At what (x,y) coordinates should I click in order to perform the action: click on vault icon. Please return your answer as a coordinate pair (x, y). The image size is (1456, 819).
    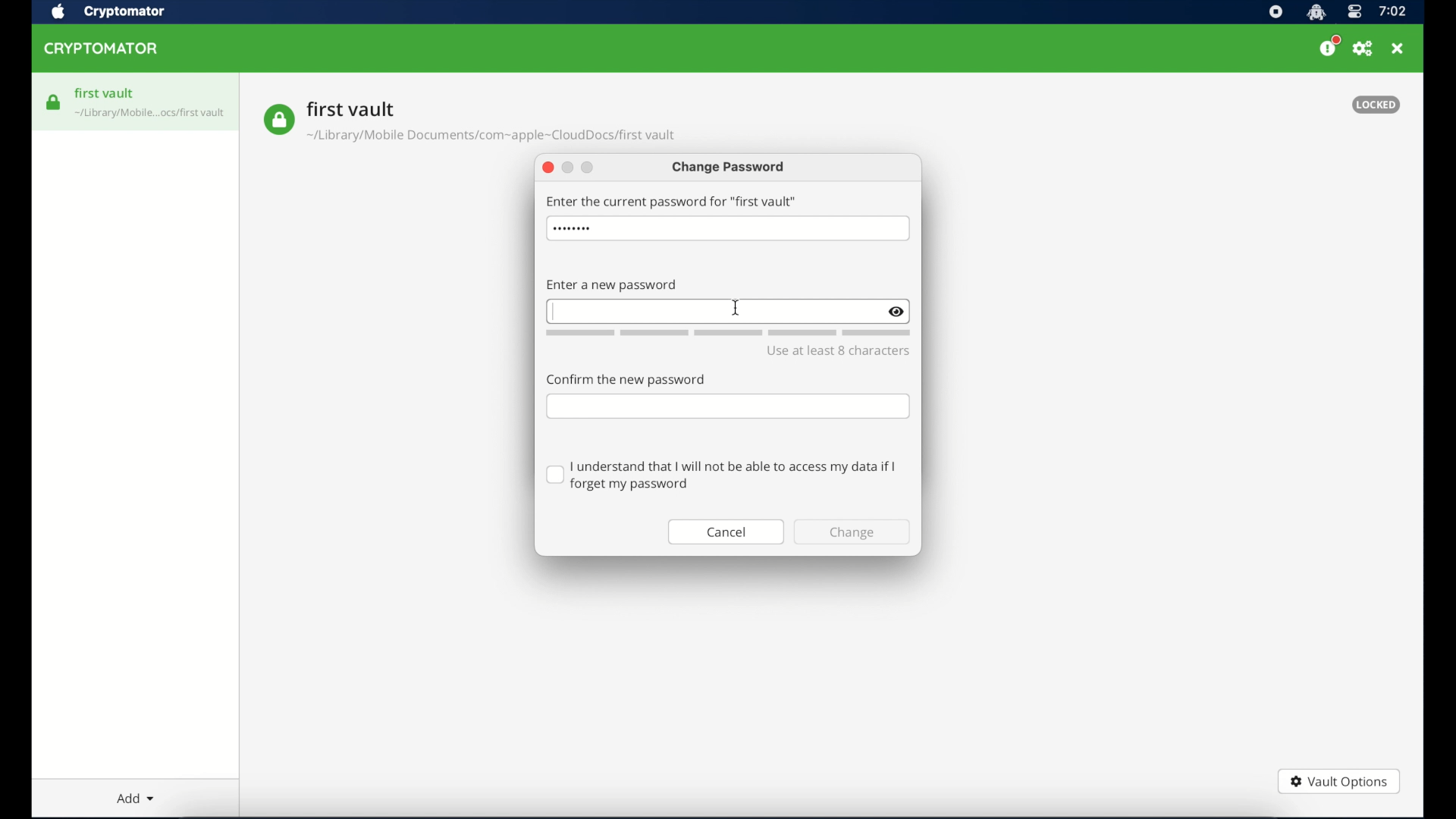
    Looking at the image, I should click on (151, 115).